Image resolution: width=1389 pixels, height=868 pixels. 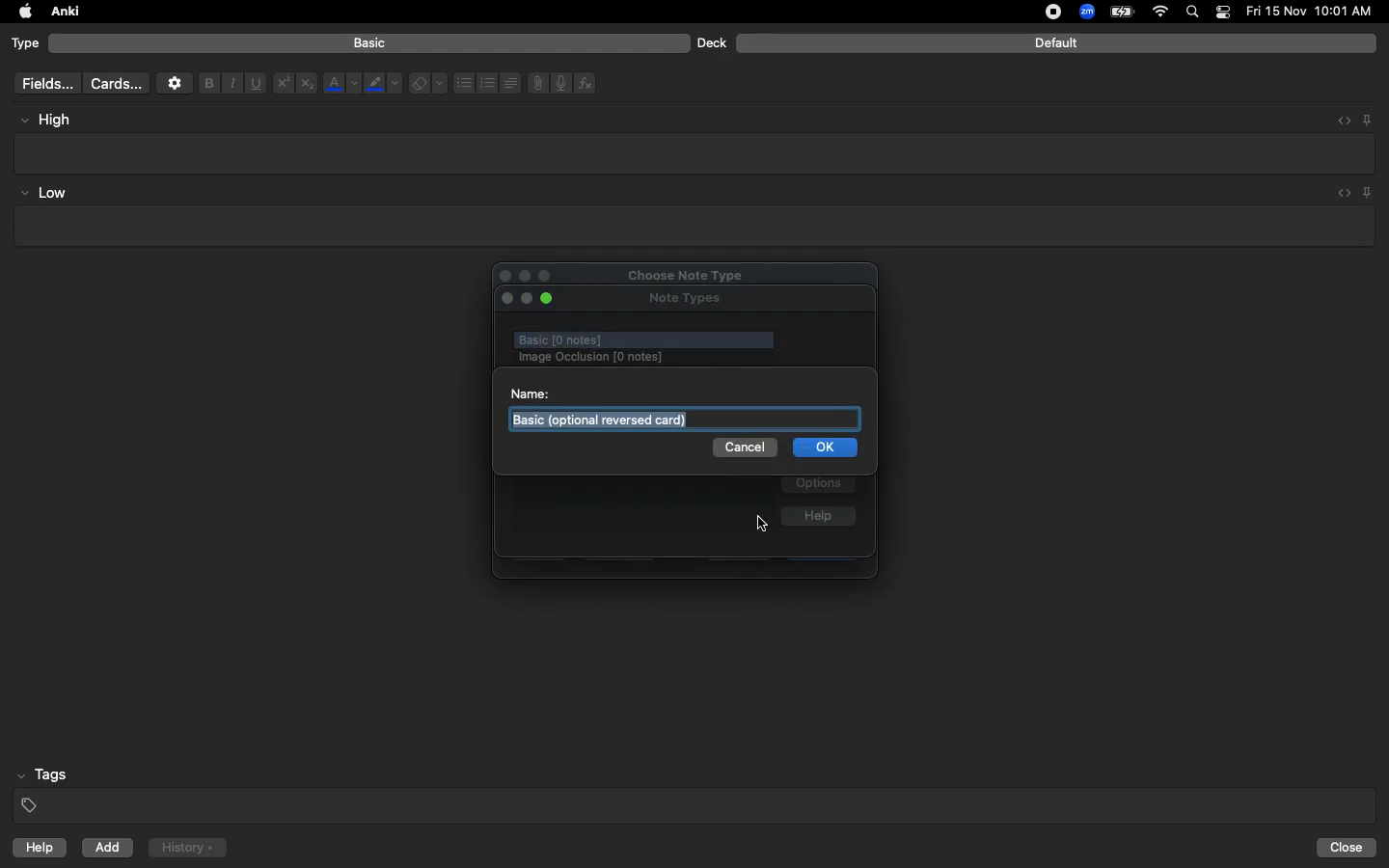 What do you see at coordinates (44, 194) in the screenshot?
I see `Low` at bounding box center [44, 194].